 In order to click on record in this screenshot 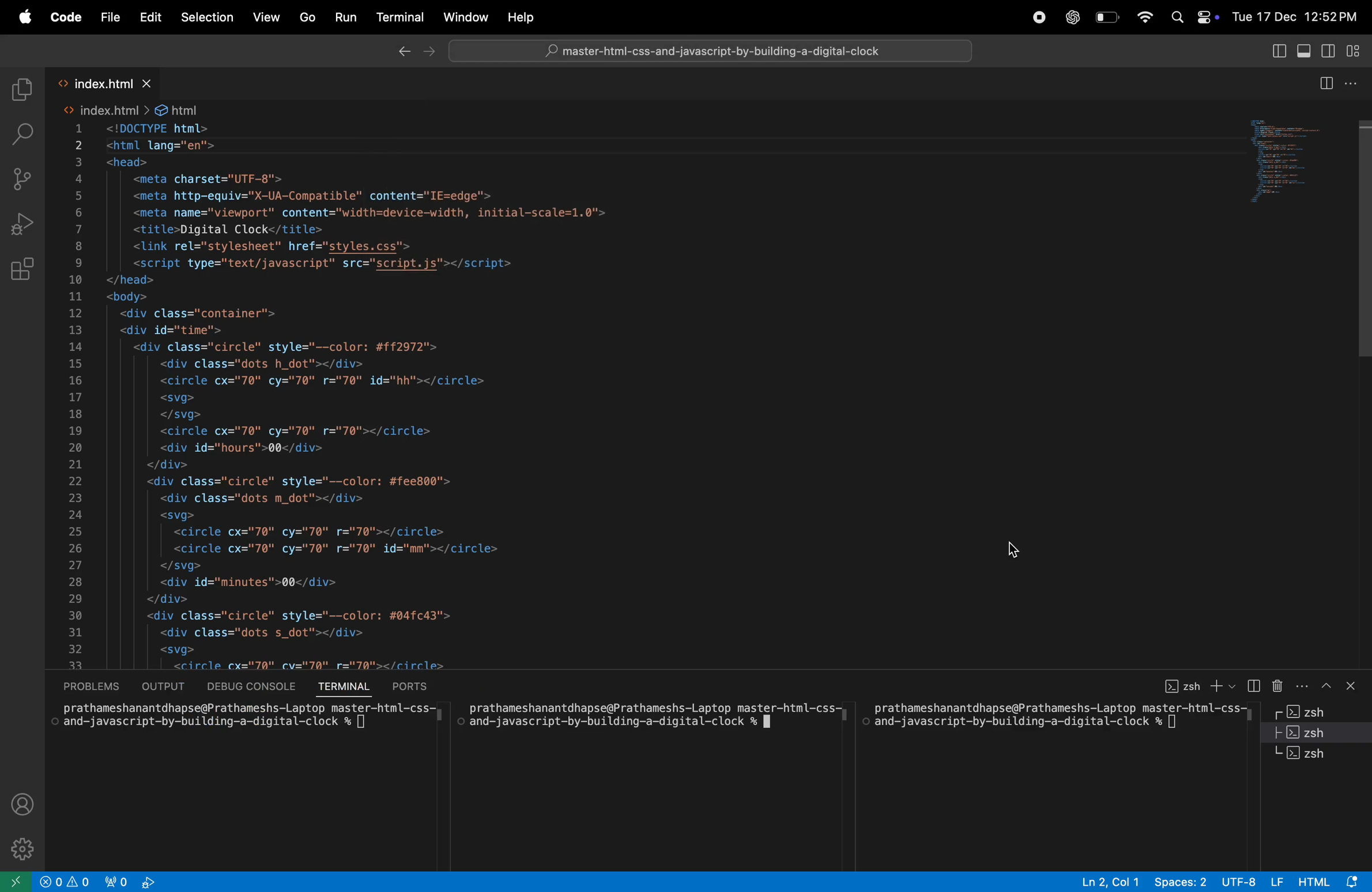, I will do `click(1034, 16)`.